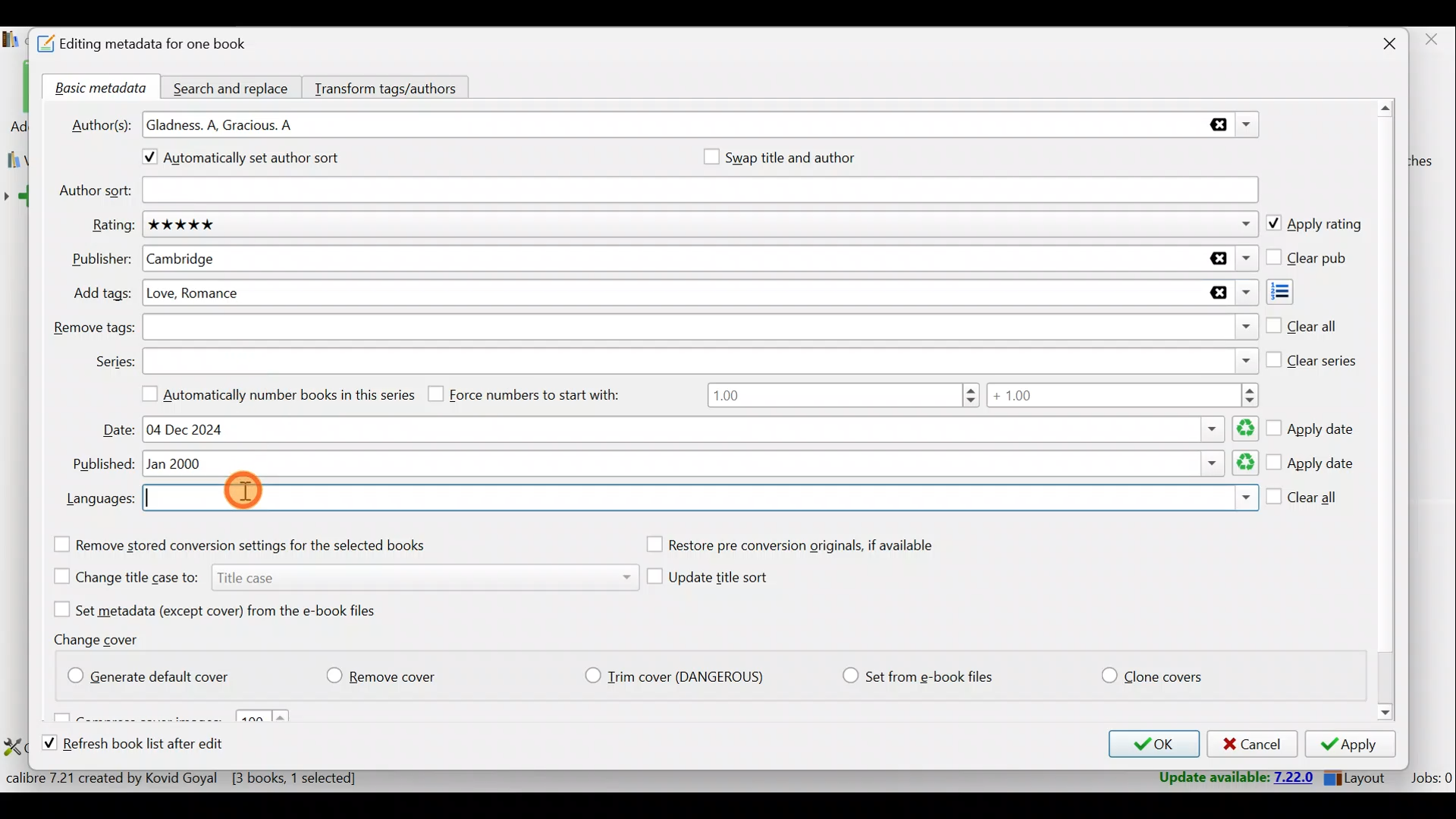  I want to click on Close, so click(1382, 45).